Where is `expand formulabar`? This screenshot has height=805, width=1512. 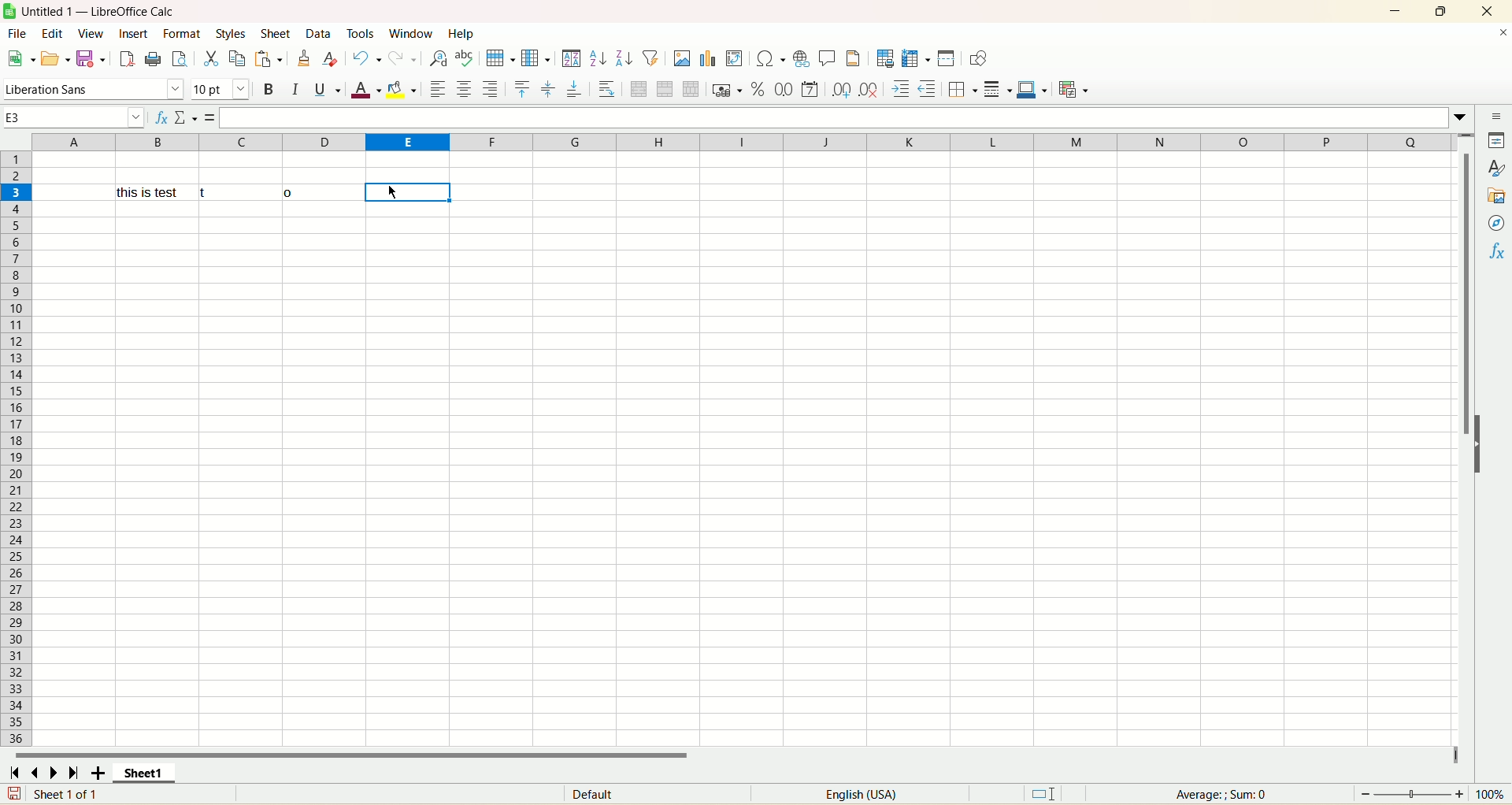
expand formulabar is located at coordinates (1462, 120).